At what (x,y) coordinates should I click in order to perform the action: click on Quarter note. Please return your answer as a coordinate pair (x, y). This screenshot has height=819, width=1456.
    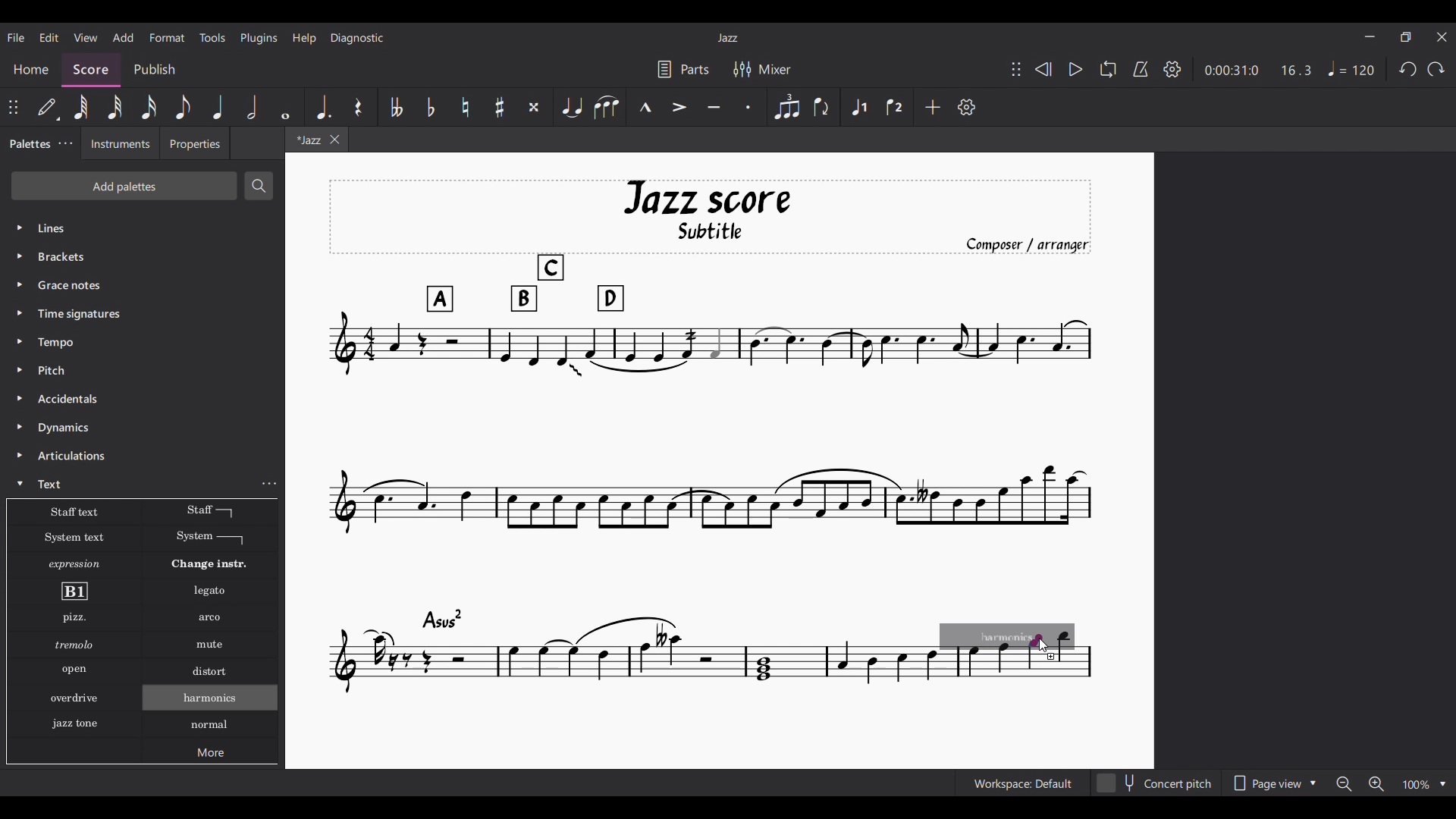
    Looking at the image, I should click on (218, 107).